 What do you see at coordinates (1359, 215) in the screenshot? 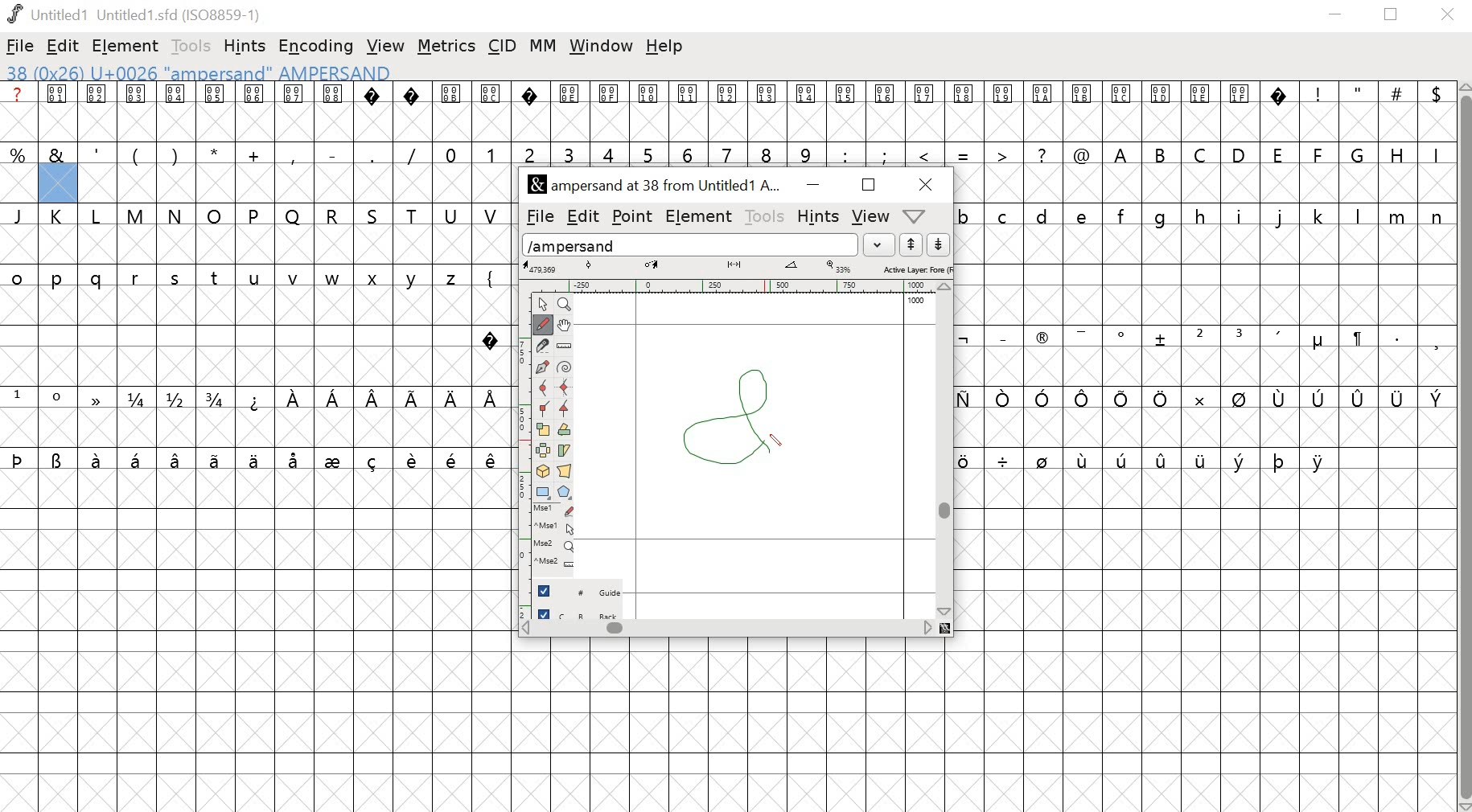
I see `l` at bounding box center [1359, 215].